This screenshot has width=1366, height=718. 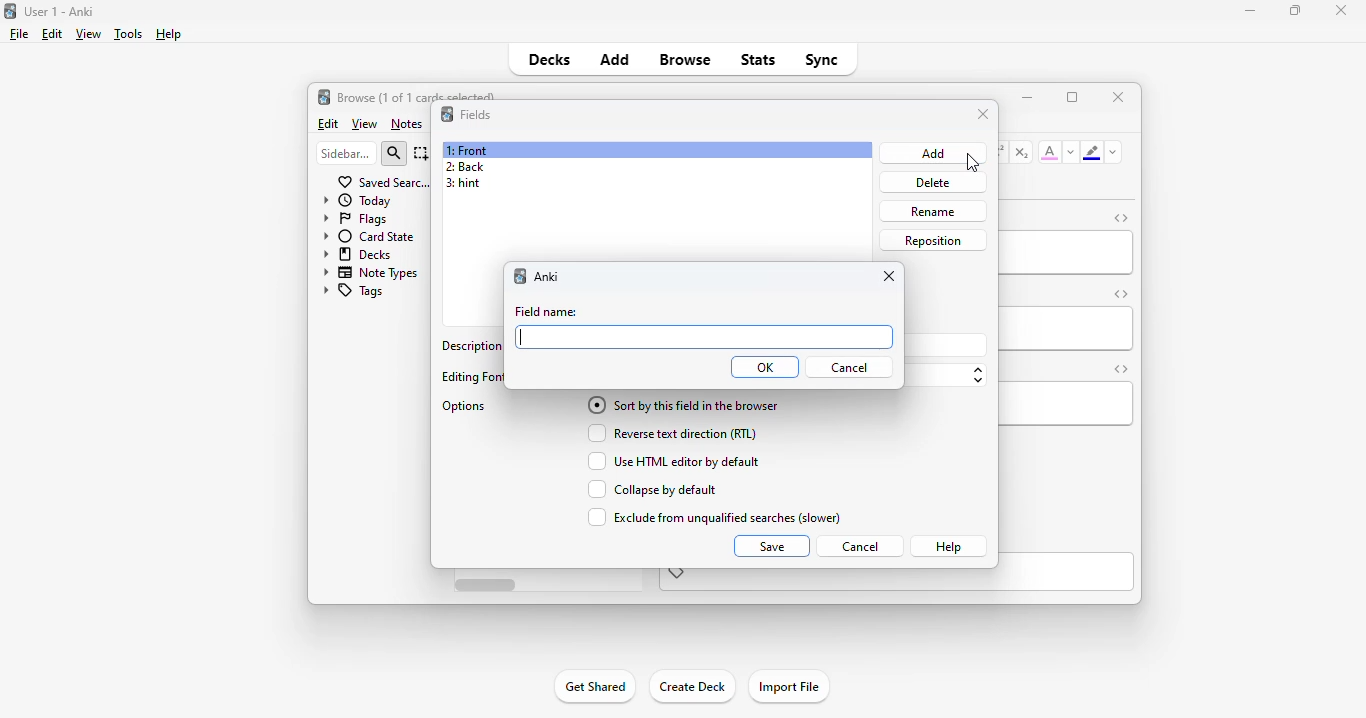 What do you see at coordinates (476, 115) in the screenshot?
I see `fields` at bounding box center [476, 115].